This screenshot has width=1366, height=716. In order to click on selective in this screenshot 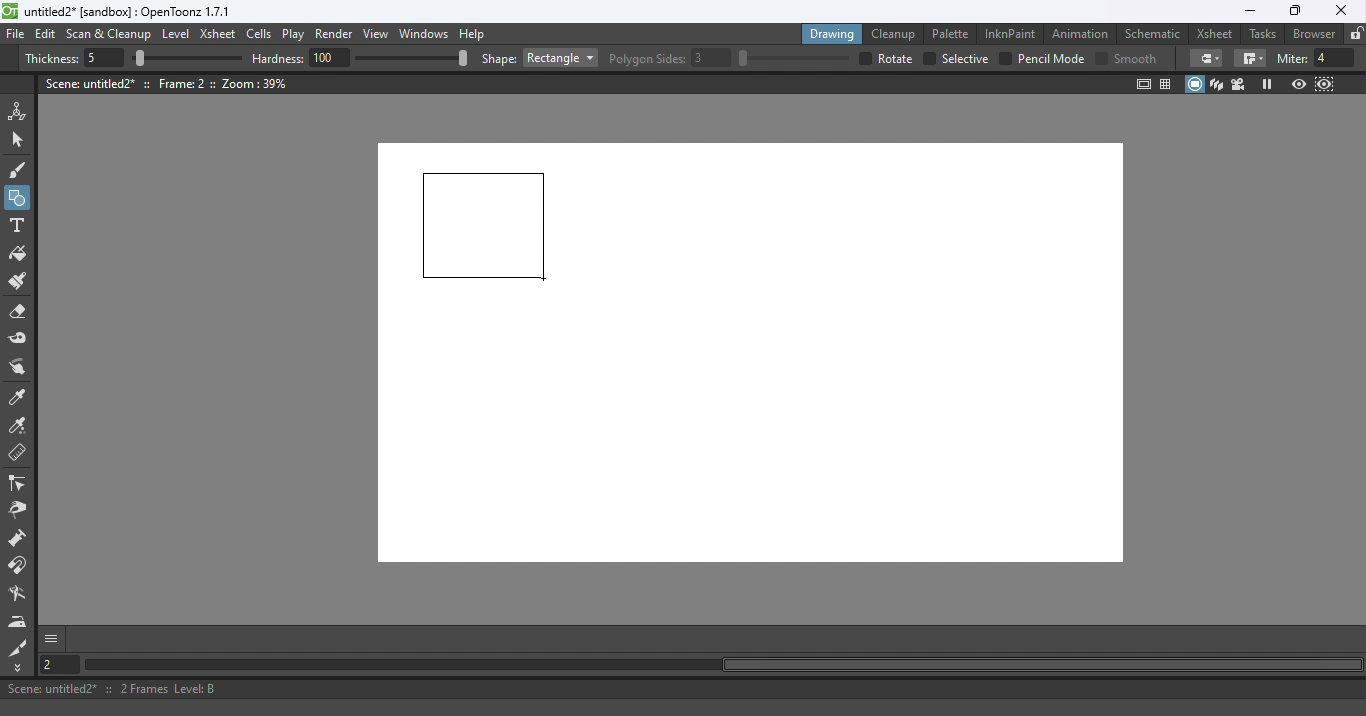, I will do `click(965, 59)`.